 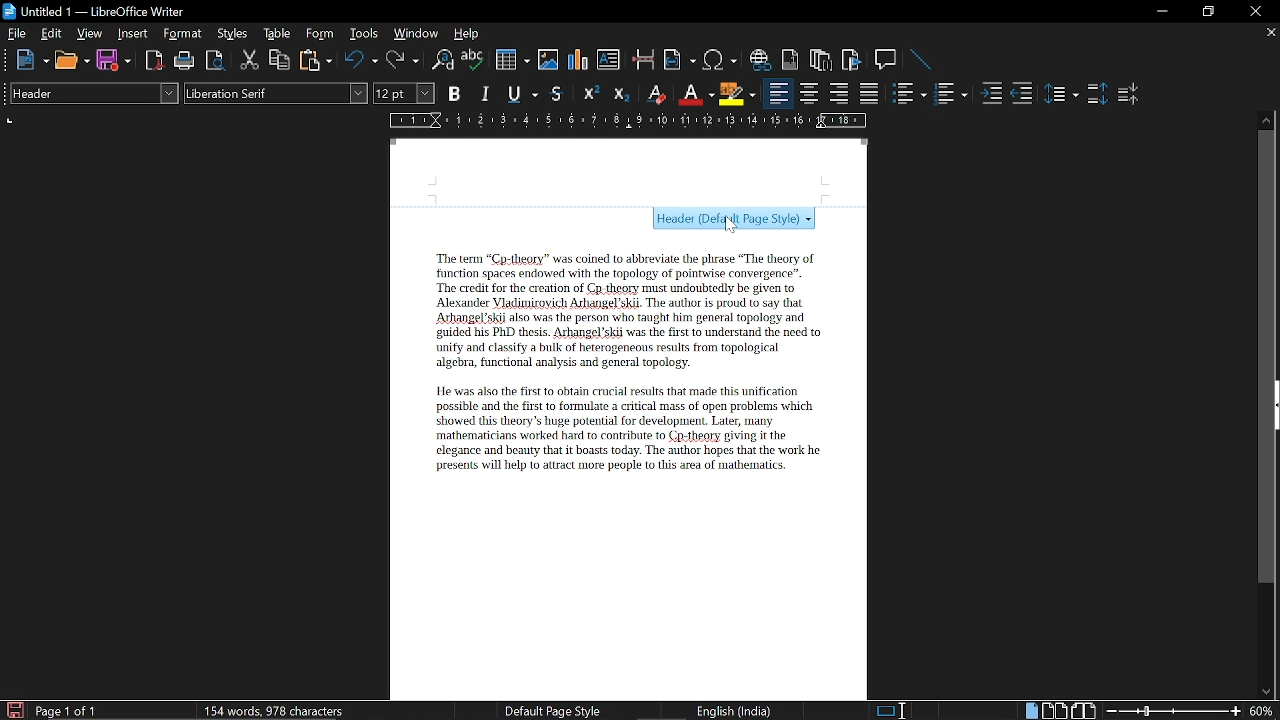 I want to click on Standard seleciton, so click(x=895, y=711).